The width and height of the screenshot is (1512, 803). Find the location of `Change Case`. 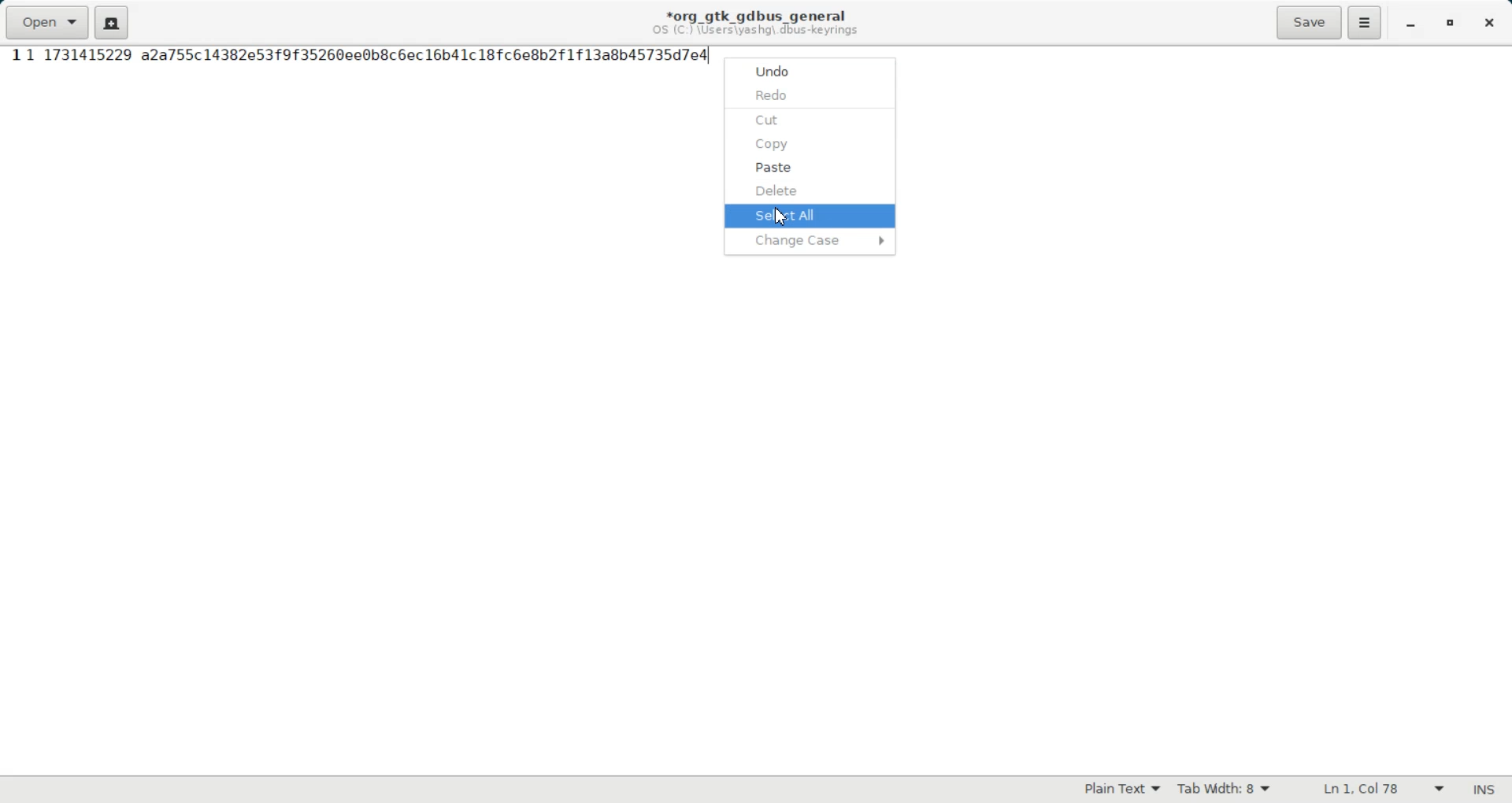

Change Case is located at coordinates (810, 242).